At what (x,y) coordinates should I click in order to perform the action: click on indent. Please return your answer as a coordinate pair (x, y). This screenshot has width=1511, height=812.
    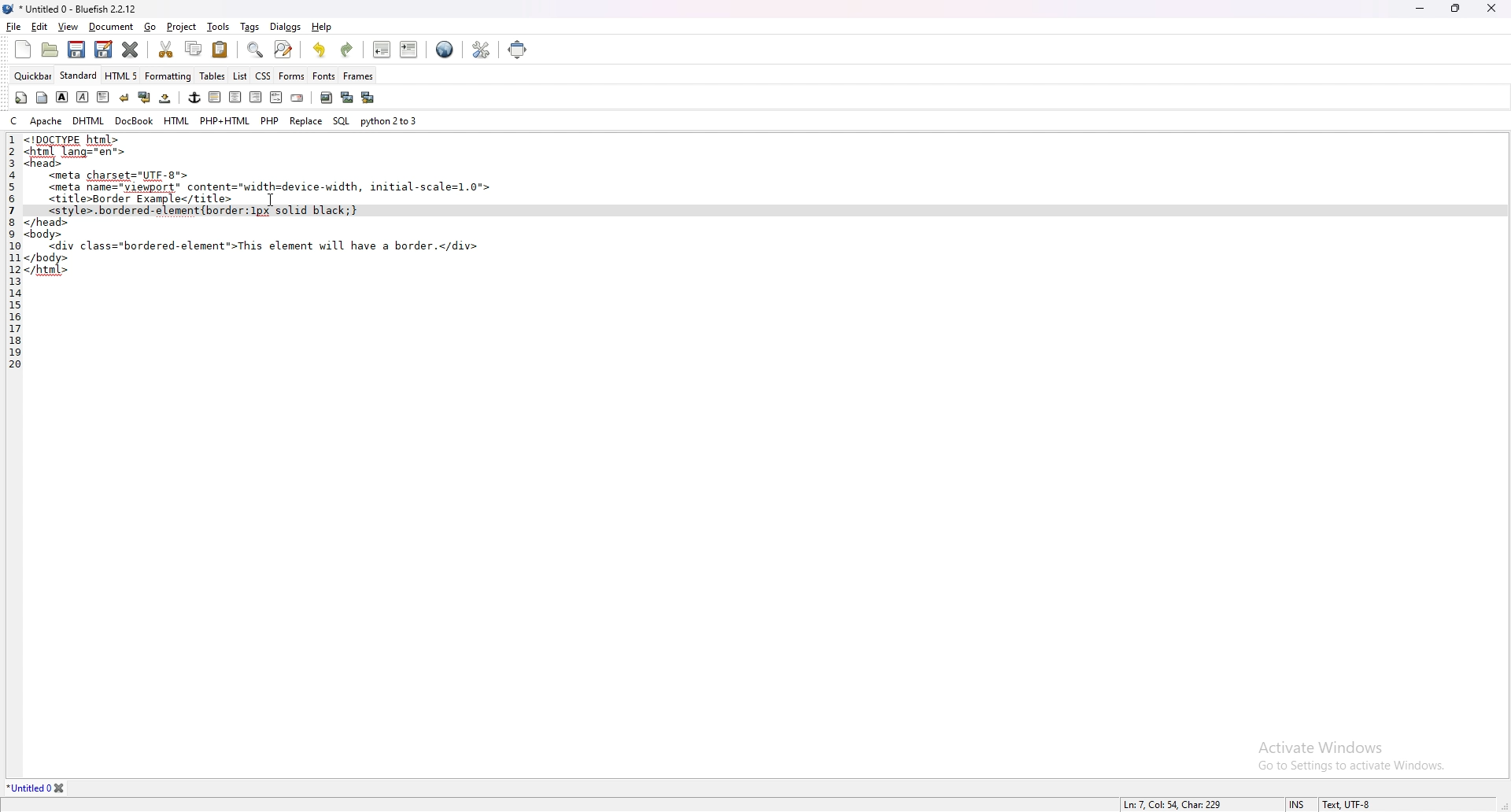
    Looking at the image, I should click on (410, 49).